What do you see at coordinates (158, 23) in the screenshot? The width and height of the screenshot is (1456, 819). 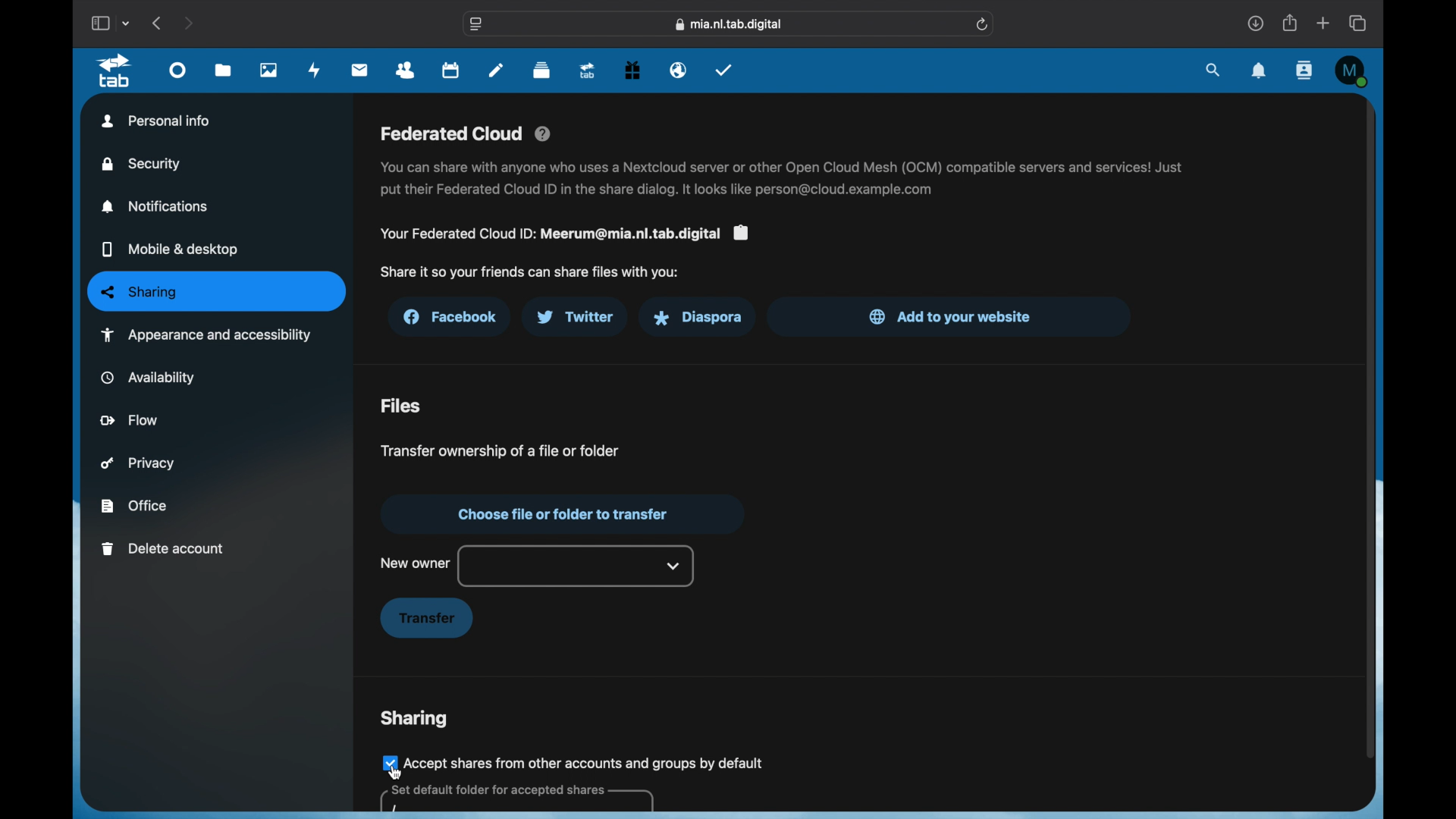 I see `previous` at bounding box center [158, 23].